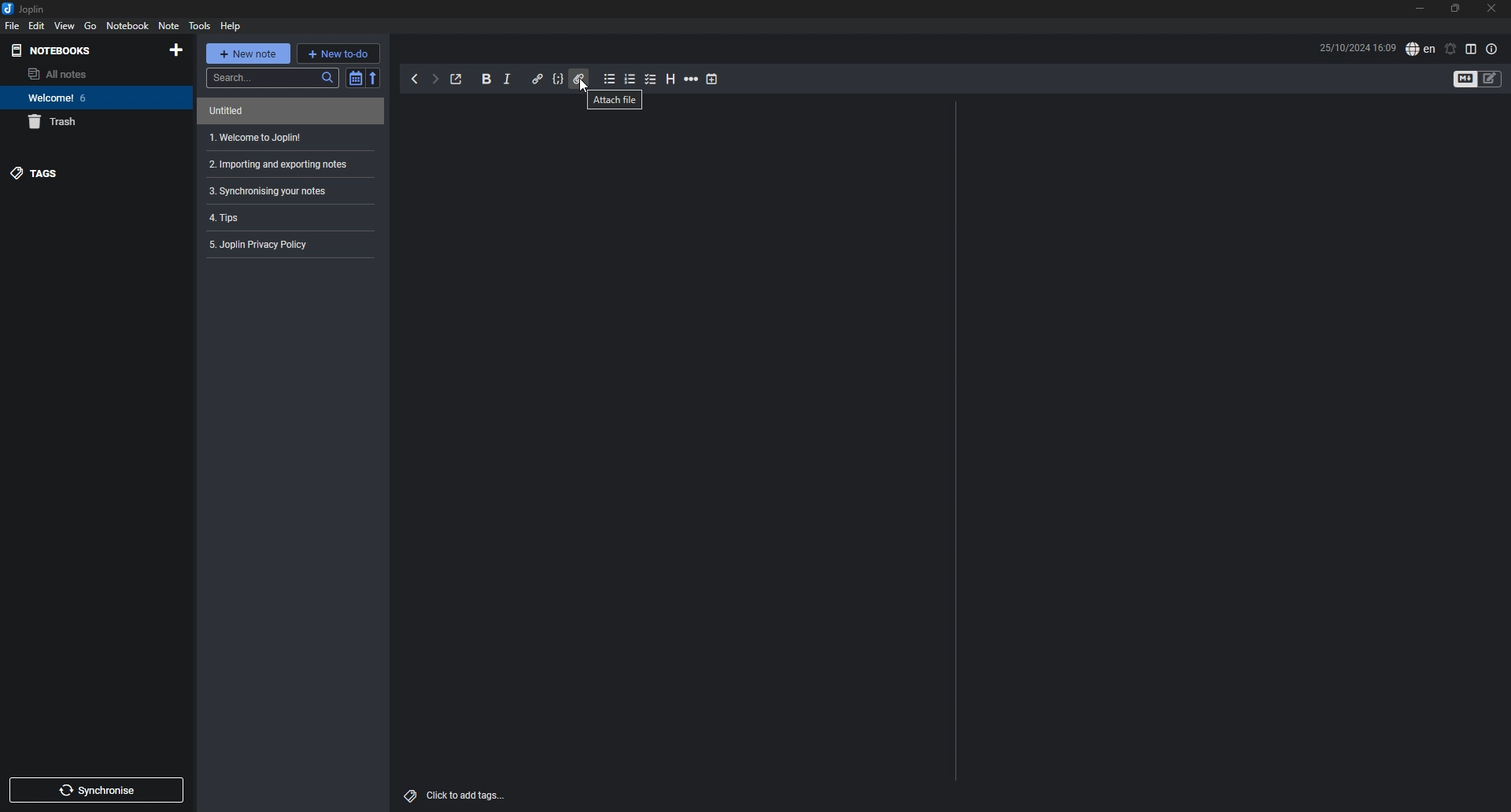  Describe the element at coordinates (26, 9) in the screenshot. I see `joplin` at that location.